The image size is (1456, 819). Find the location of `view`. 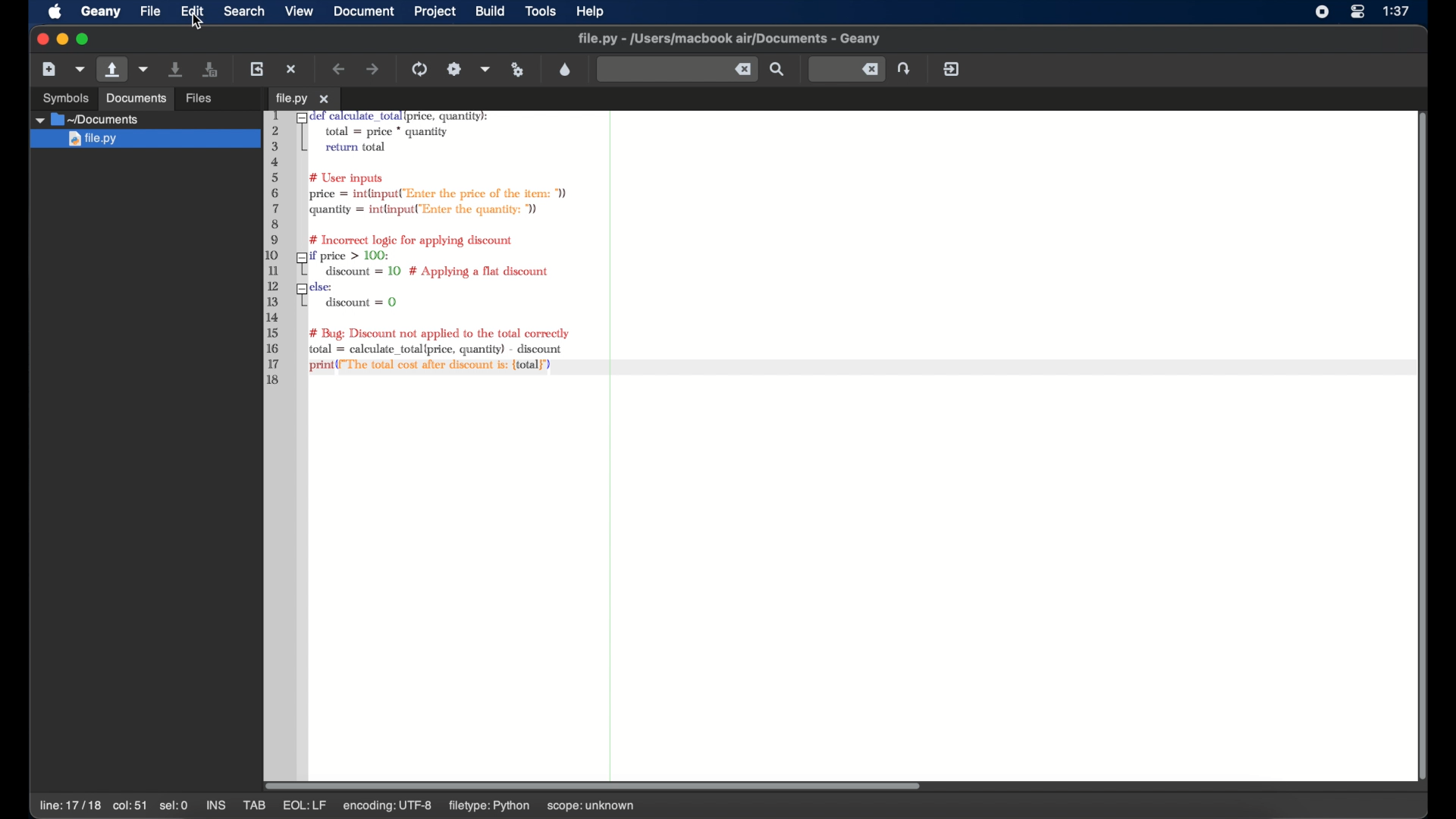

view is located at coordinates (300, 10).